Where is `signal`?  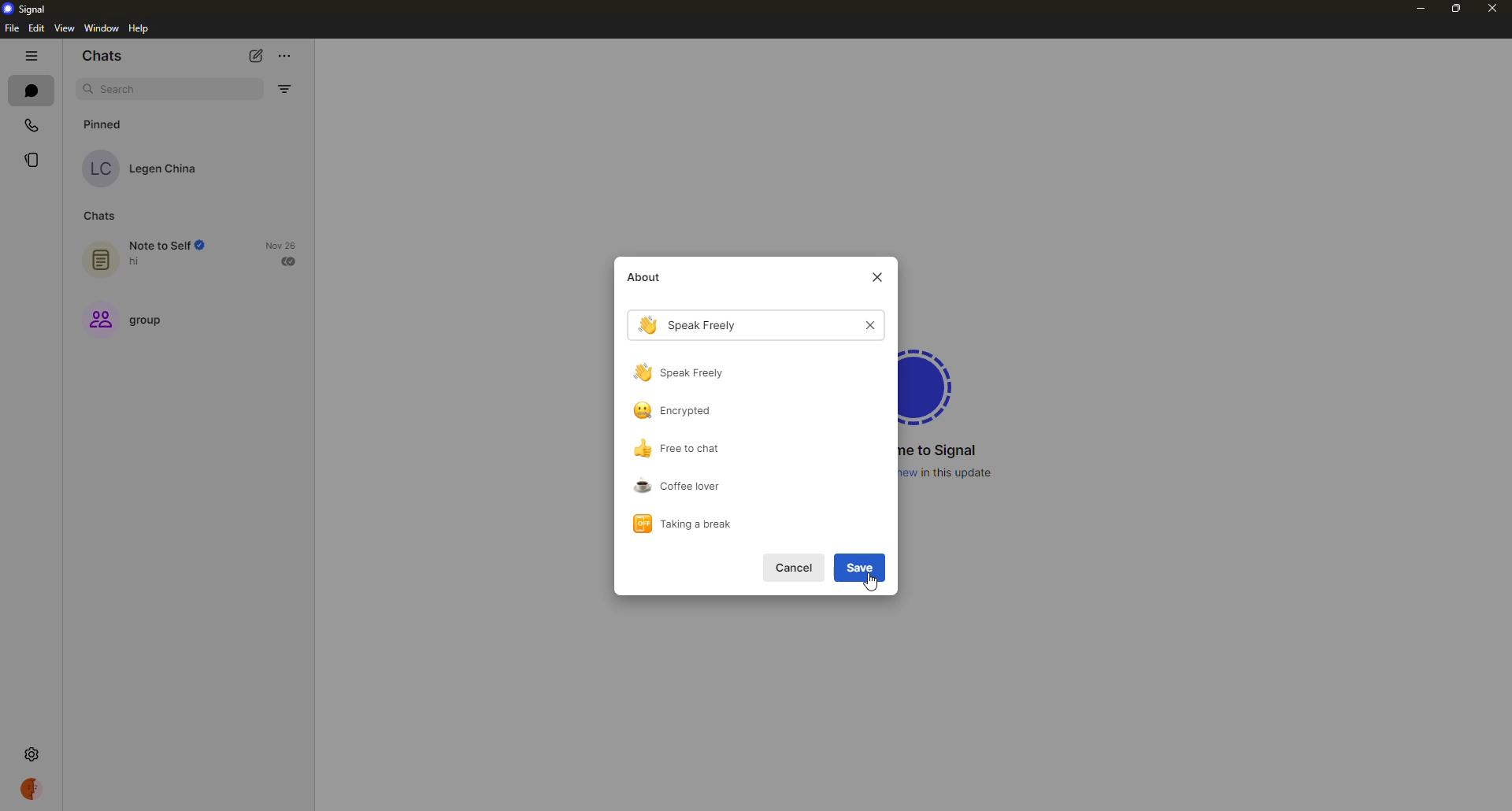 signal is located at coordinates (29, 8).